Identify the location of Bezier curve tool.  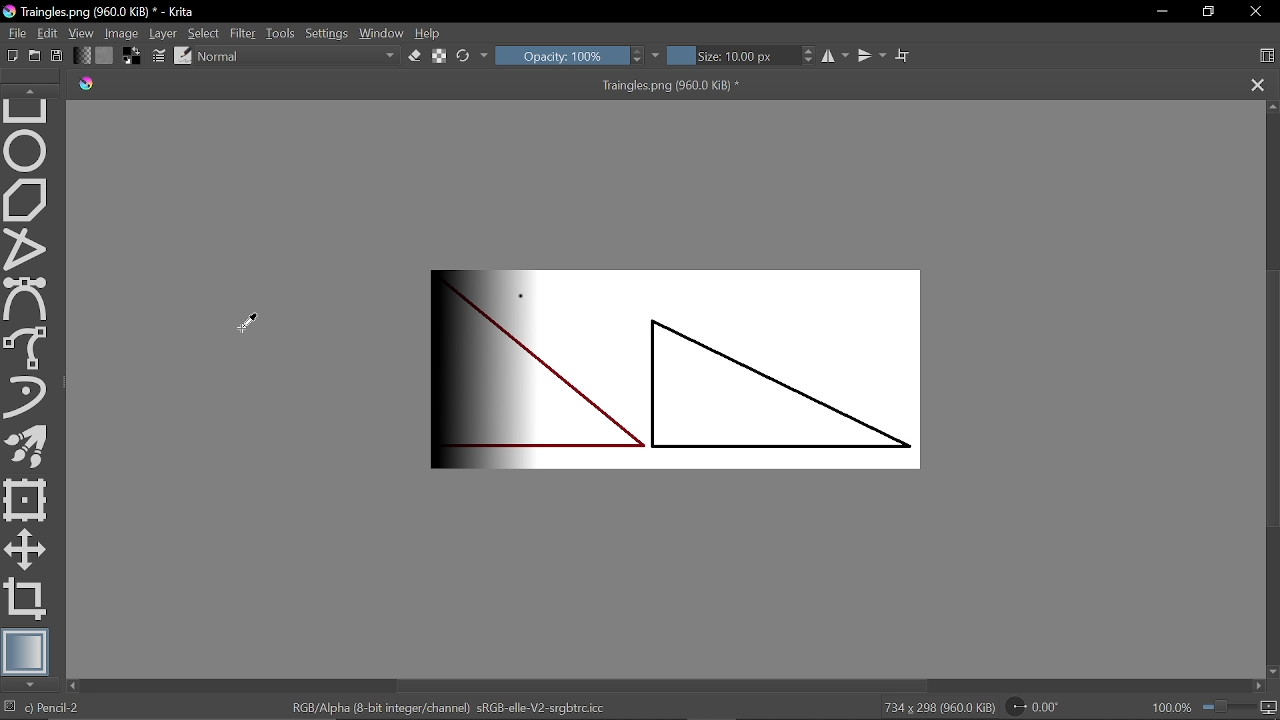
(28, 300).